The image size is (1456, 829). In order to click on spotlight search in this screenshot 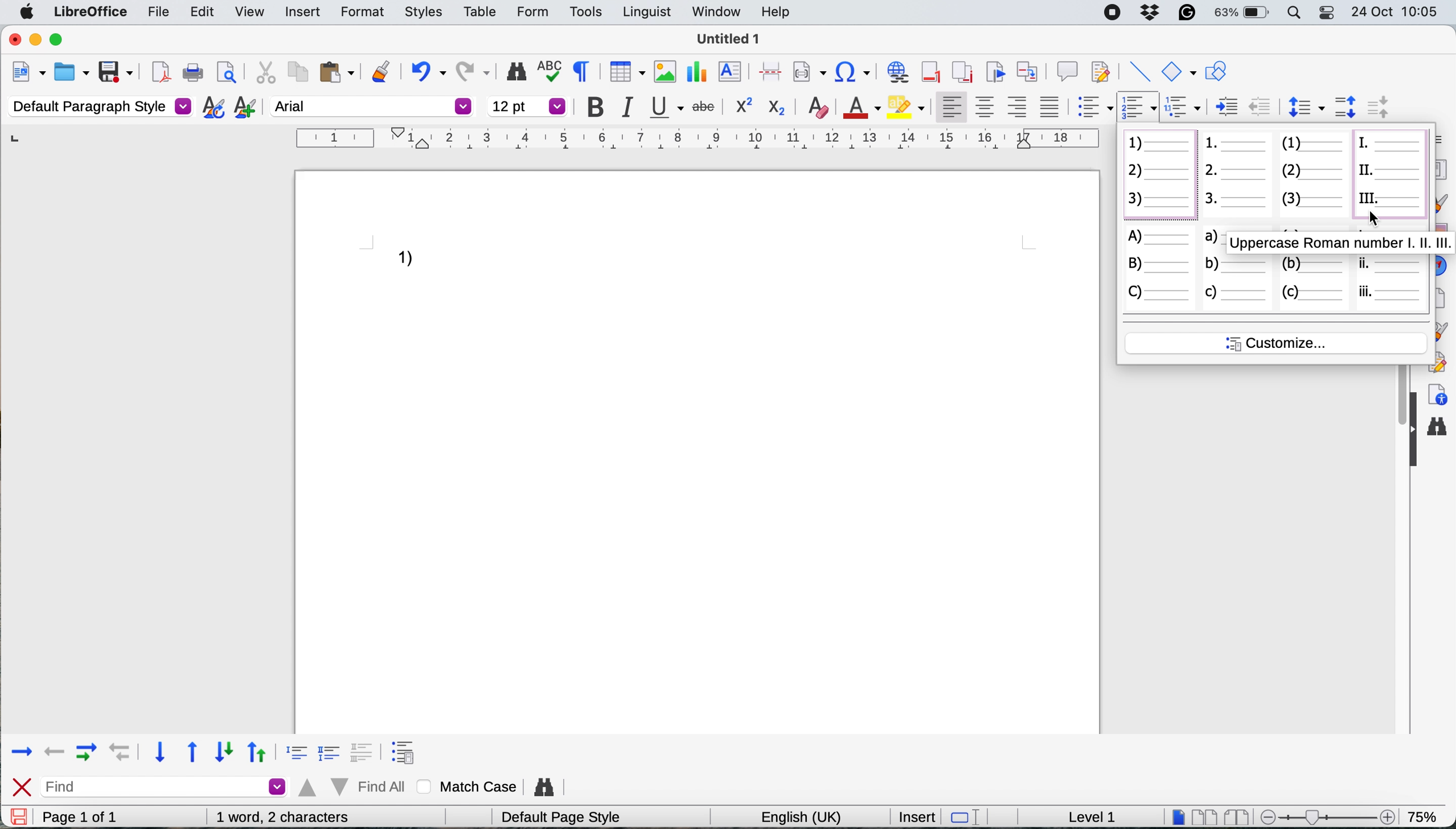, I will do `click(1293, 13)`.